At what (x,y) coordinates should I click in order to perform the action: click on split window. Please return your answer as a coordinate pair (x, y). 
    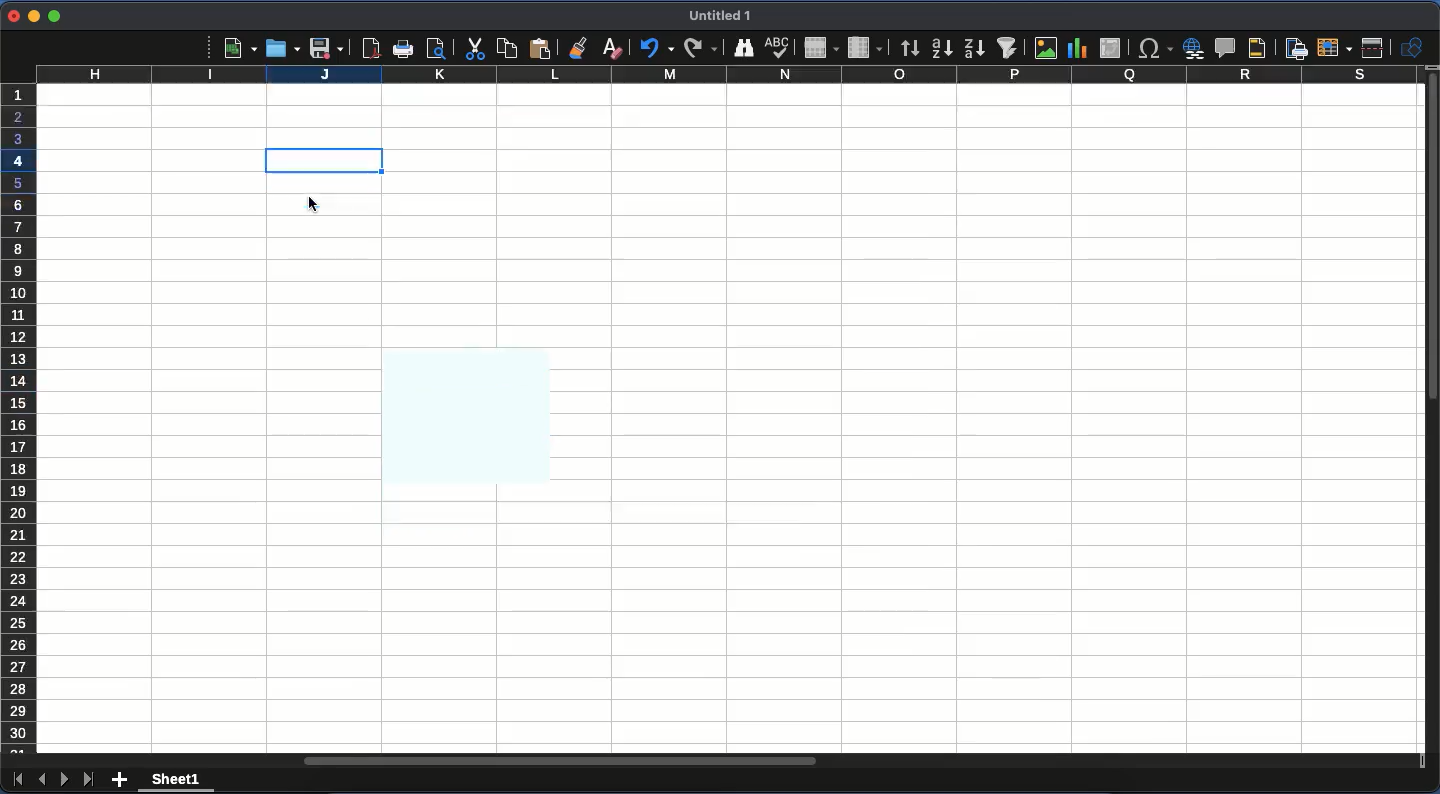
    Looking at the image, I should click on (1372, 49).